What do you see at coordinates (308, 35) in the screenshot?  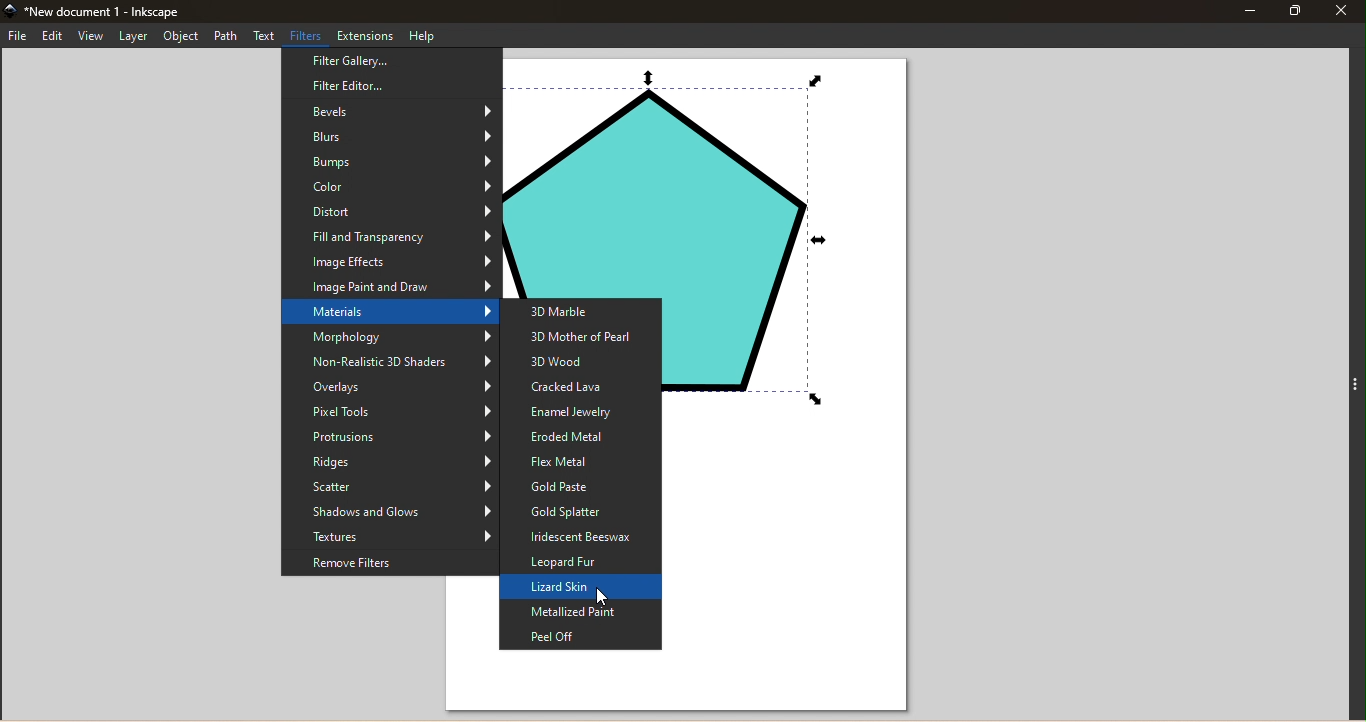 I see `Filters` at bounding box center [308, 35].